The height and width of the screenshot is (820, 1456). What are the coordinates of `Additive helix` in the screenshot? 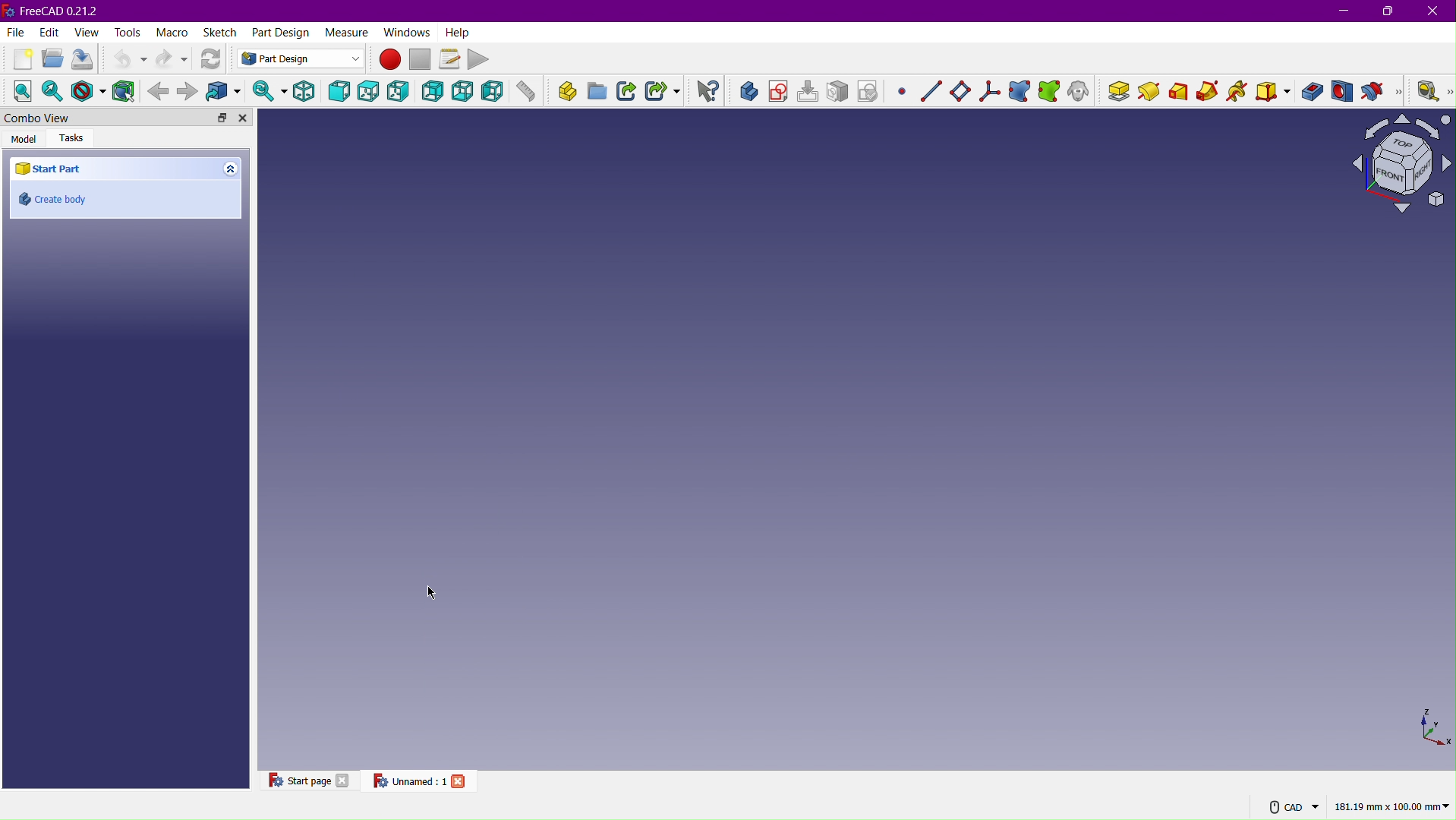 It's located at (1238, 92).